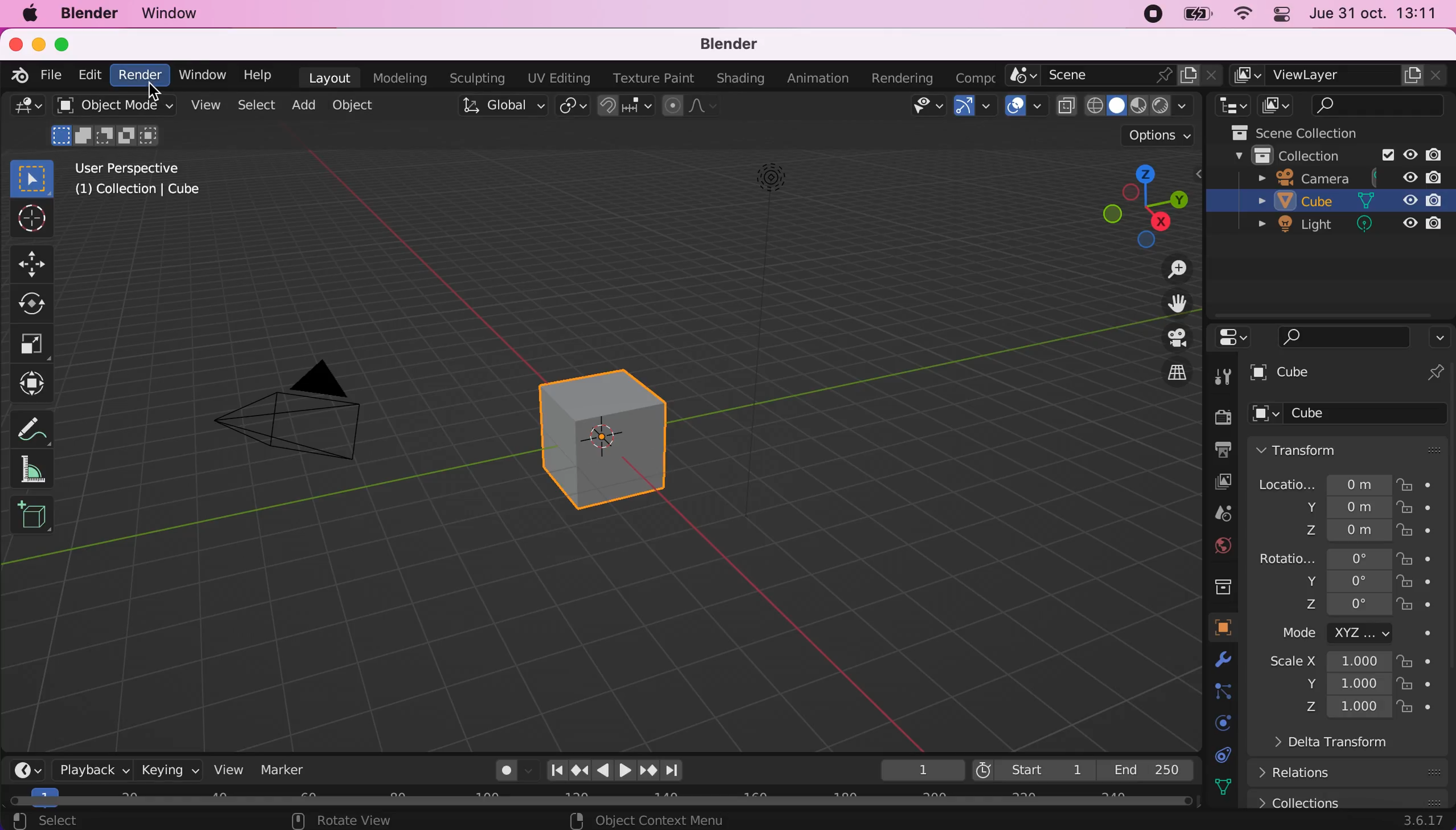 Image resolution: width=1456 pixels, height=830 pixels. What do you see at coordinates (1223, 628) in the screenshot?
I see `object` at bounding box center [1223, 628].